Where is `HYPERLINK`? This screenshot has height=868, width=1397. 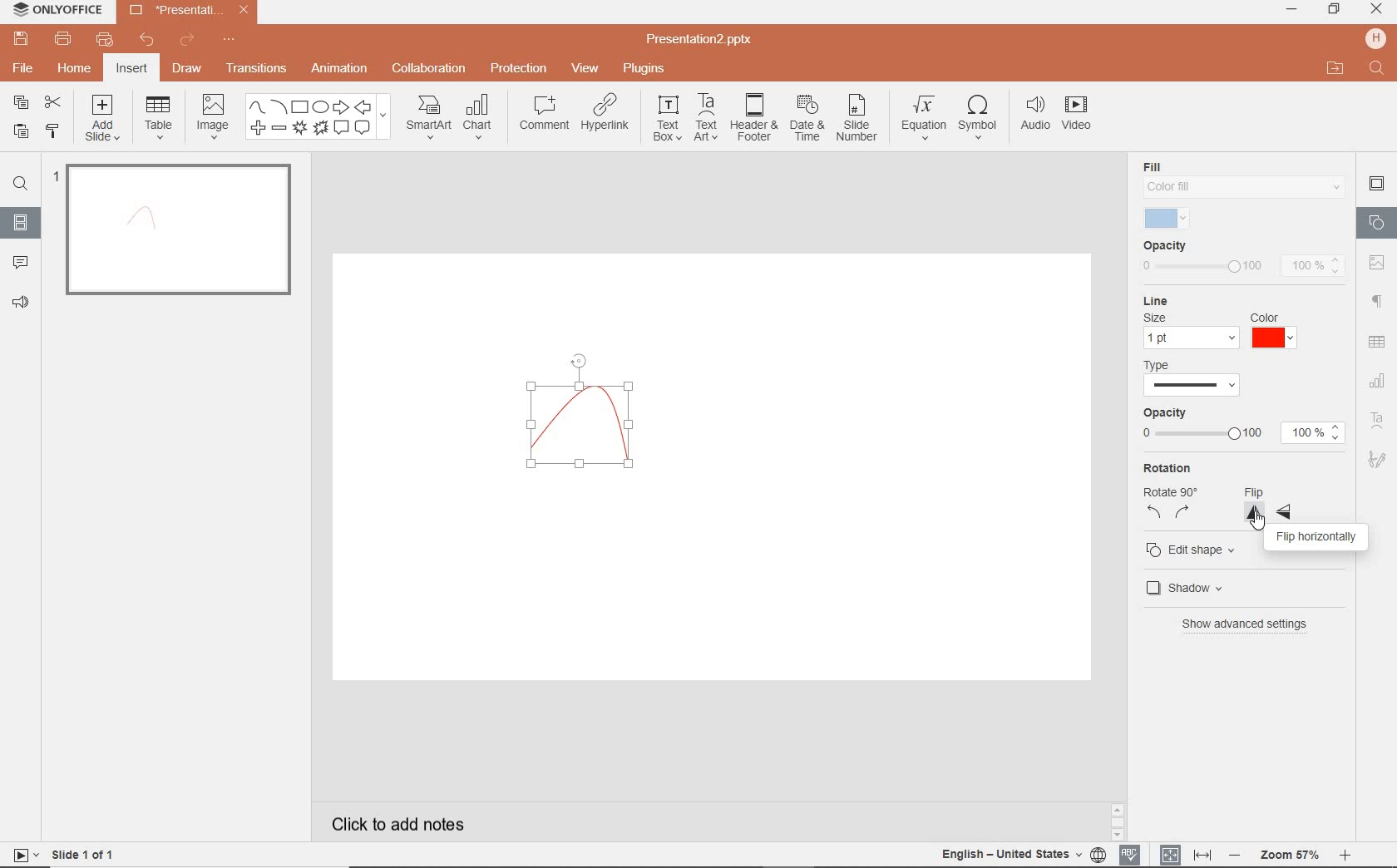 HYPERLINK is located at coordinates (608, 116).